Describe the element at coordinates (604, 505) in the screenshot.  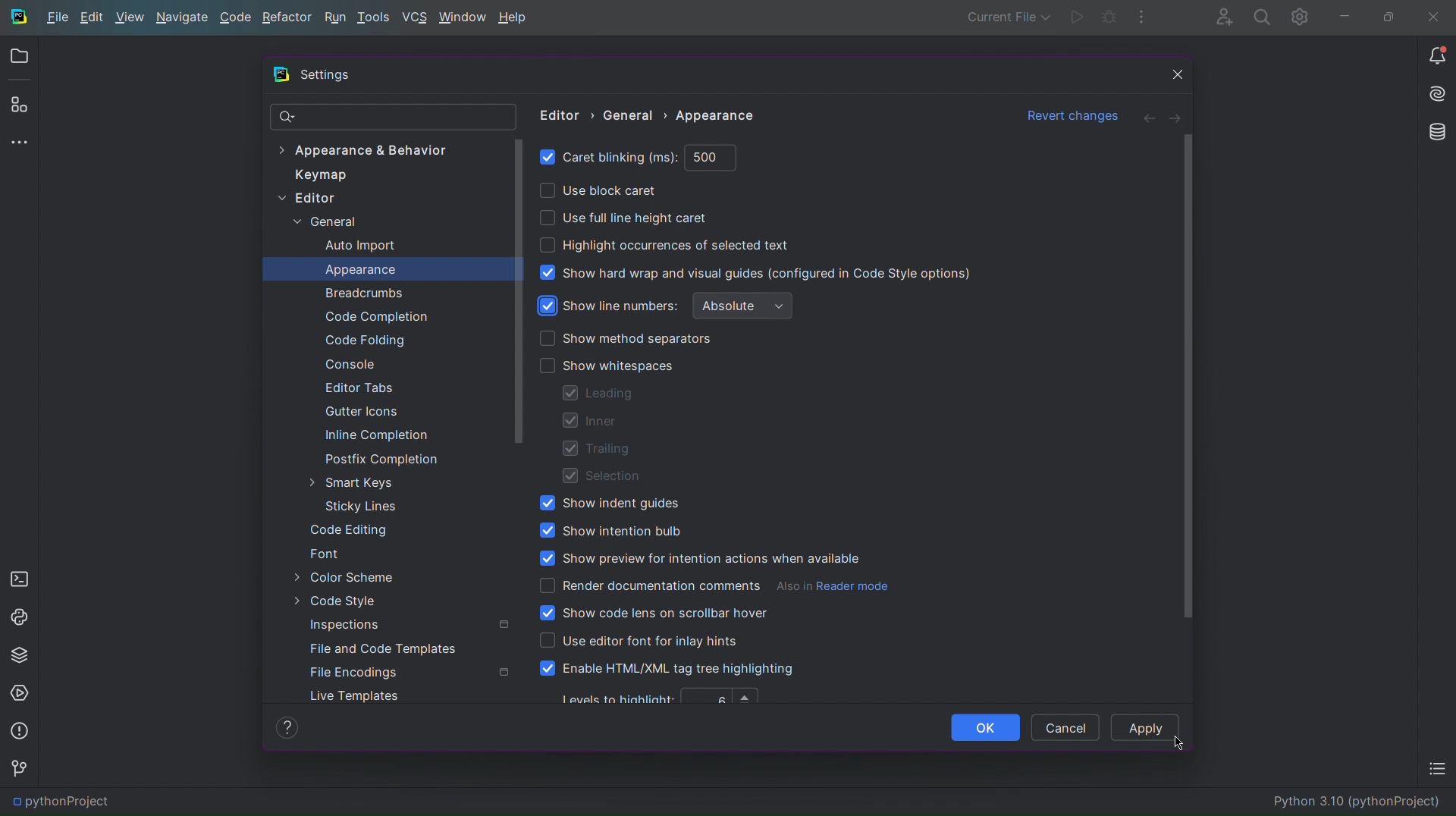
I see `Show indent guides` at that location.